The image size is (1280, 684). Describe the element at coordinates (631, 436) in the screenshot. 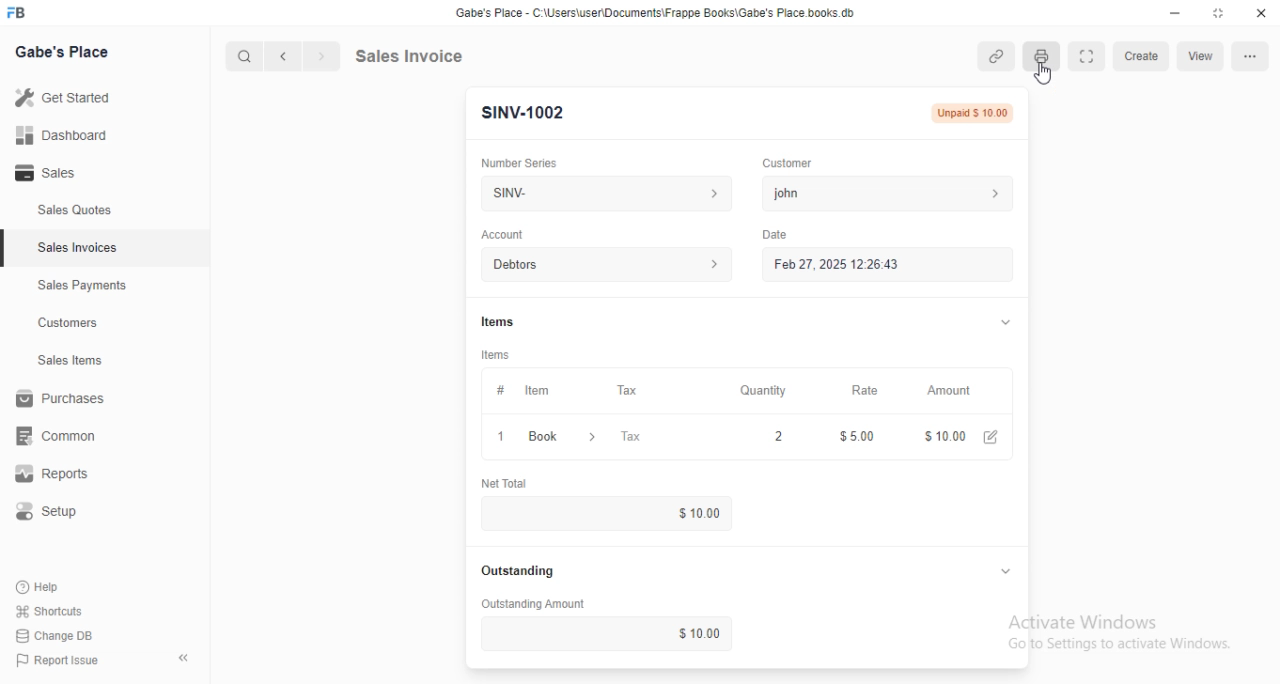

I see `tax` at that location.